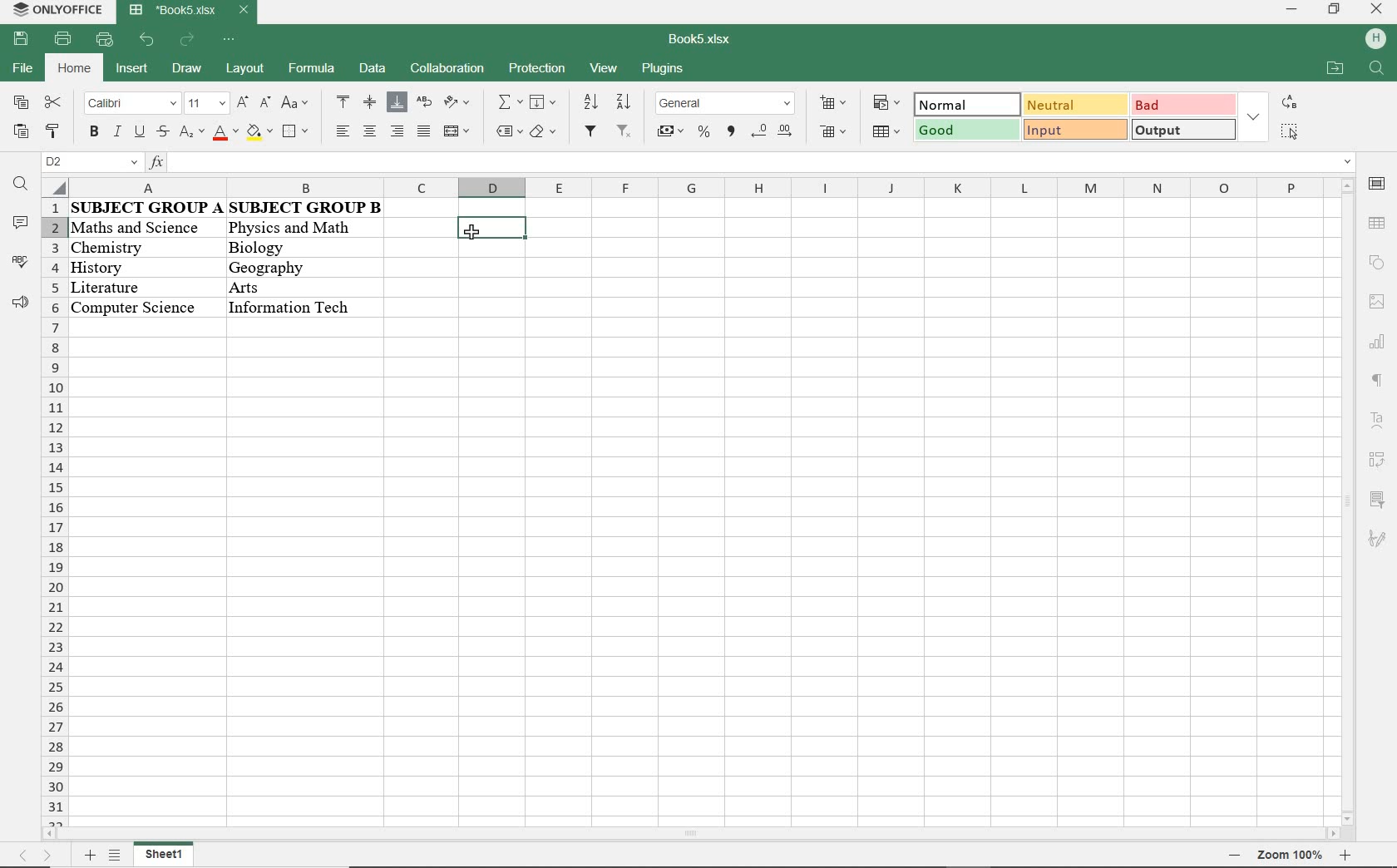  Describe the element at coordinates (186, 68) in the screenshot. I see `draw` at that location.